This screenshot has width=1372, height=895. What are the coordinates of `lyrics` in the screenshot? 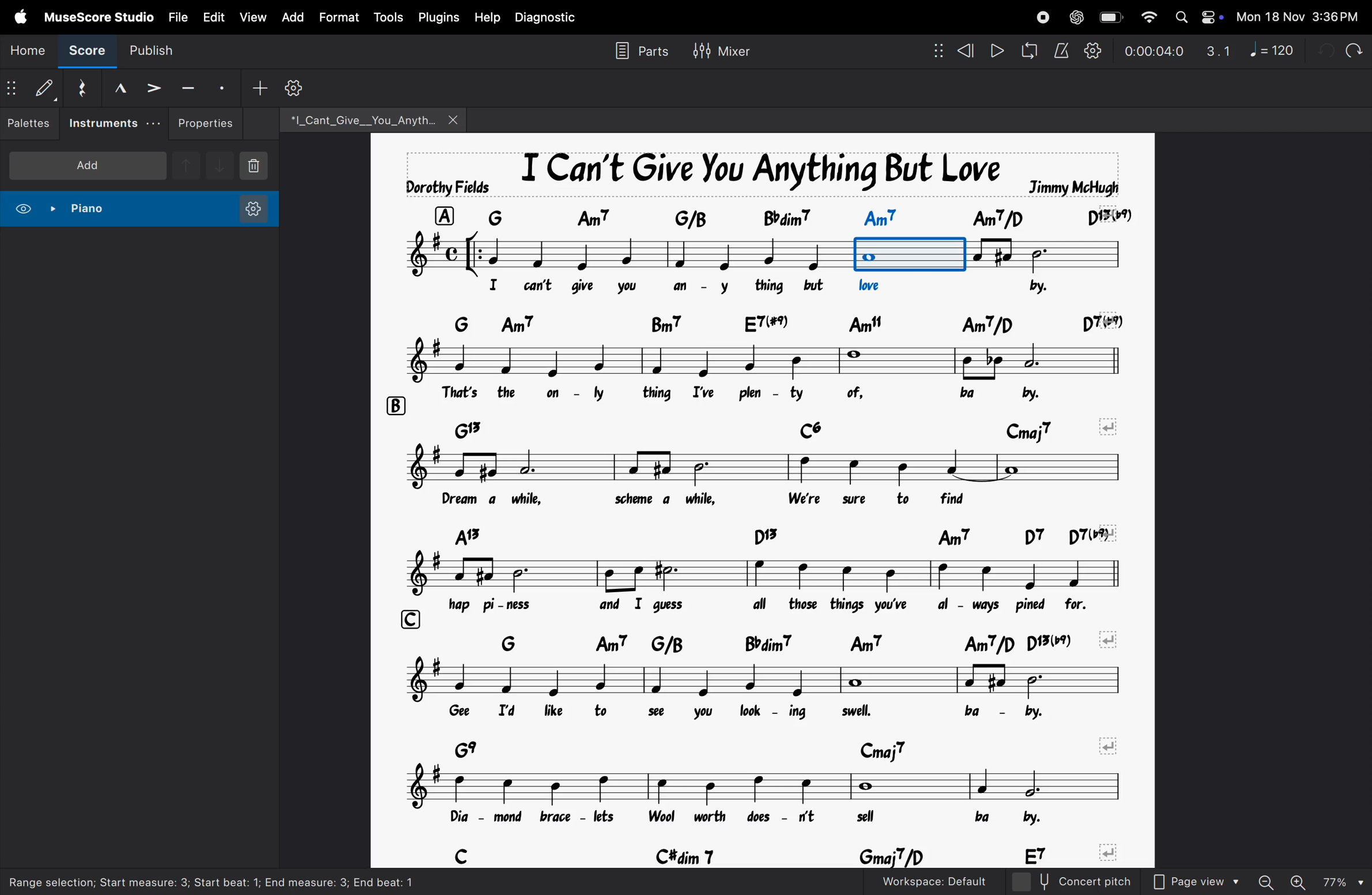 It's located at (756, 396).